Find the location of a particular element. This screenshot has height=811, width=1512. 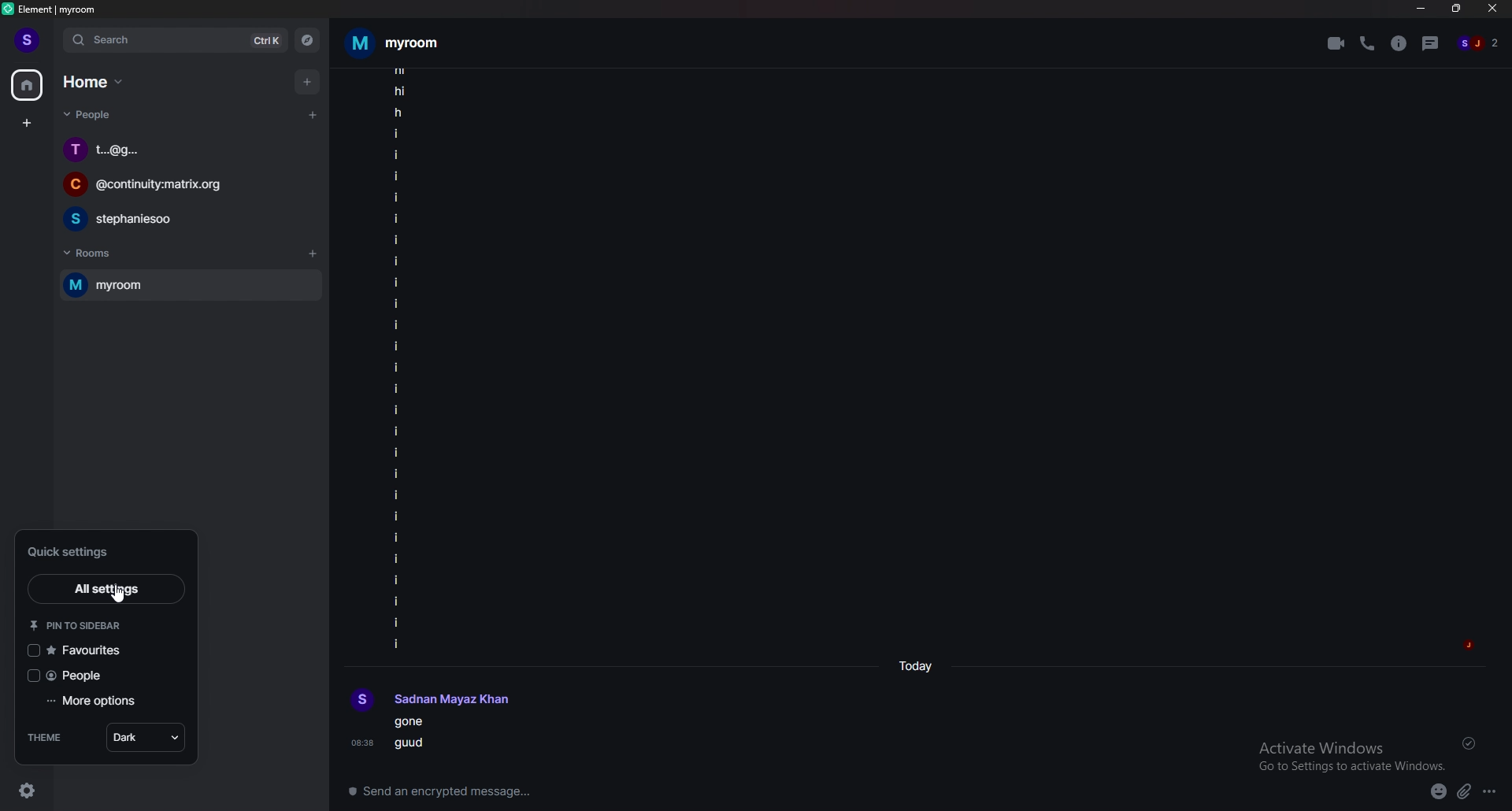

explore room is located at coordinates (308, 40).